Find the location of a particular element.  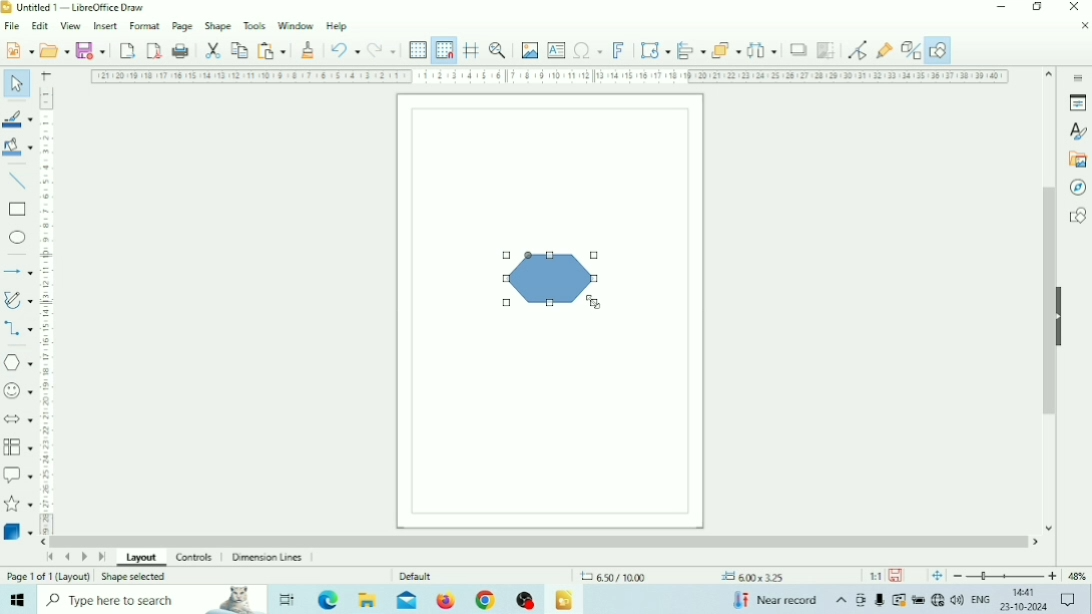

Horizontal scrollbar is located at coordinates (540, 541).